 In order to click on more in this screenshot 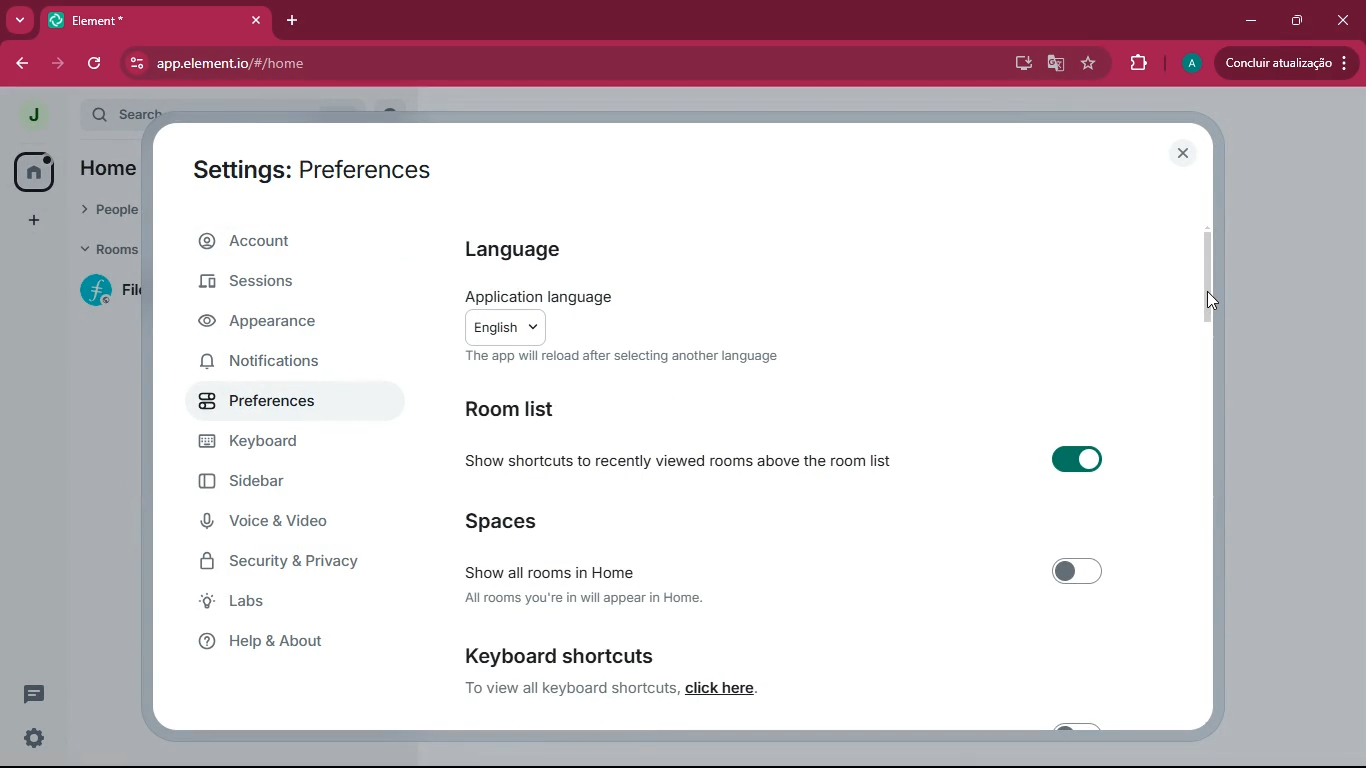, I will do `click(20, 22)`.